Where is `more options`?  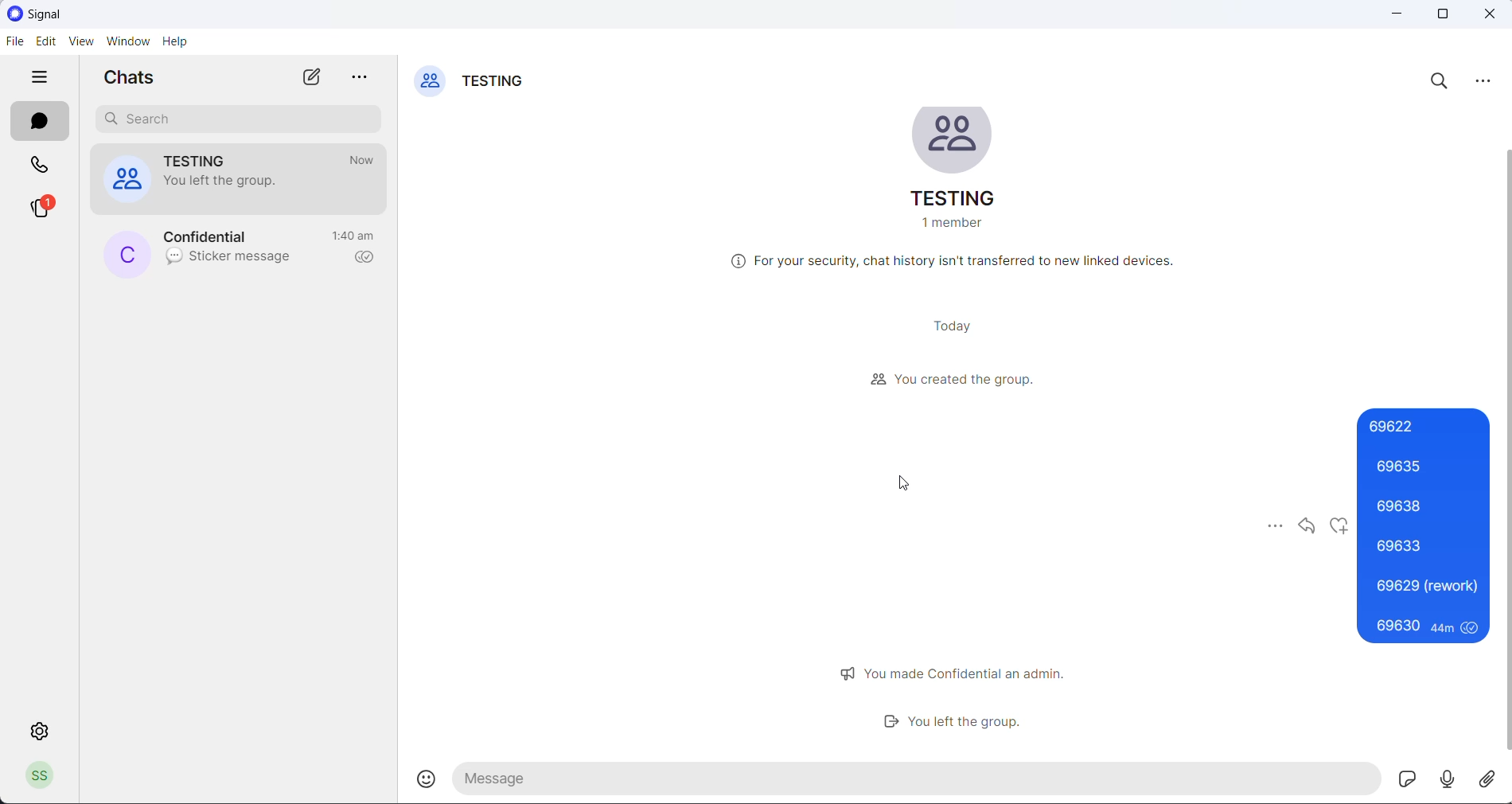 more options is located at coordinates (1484, 80).